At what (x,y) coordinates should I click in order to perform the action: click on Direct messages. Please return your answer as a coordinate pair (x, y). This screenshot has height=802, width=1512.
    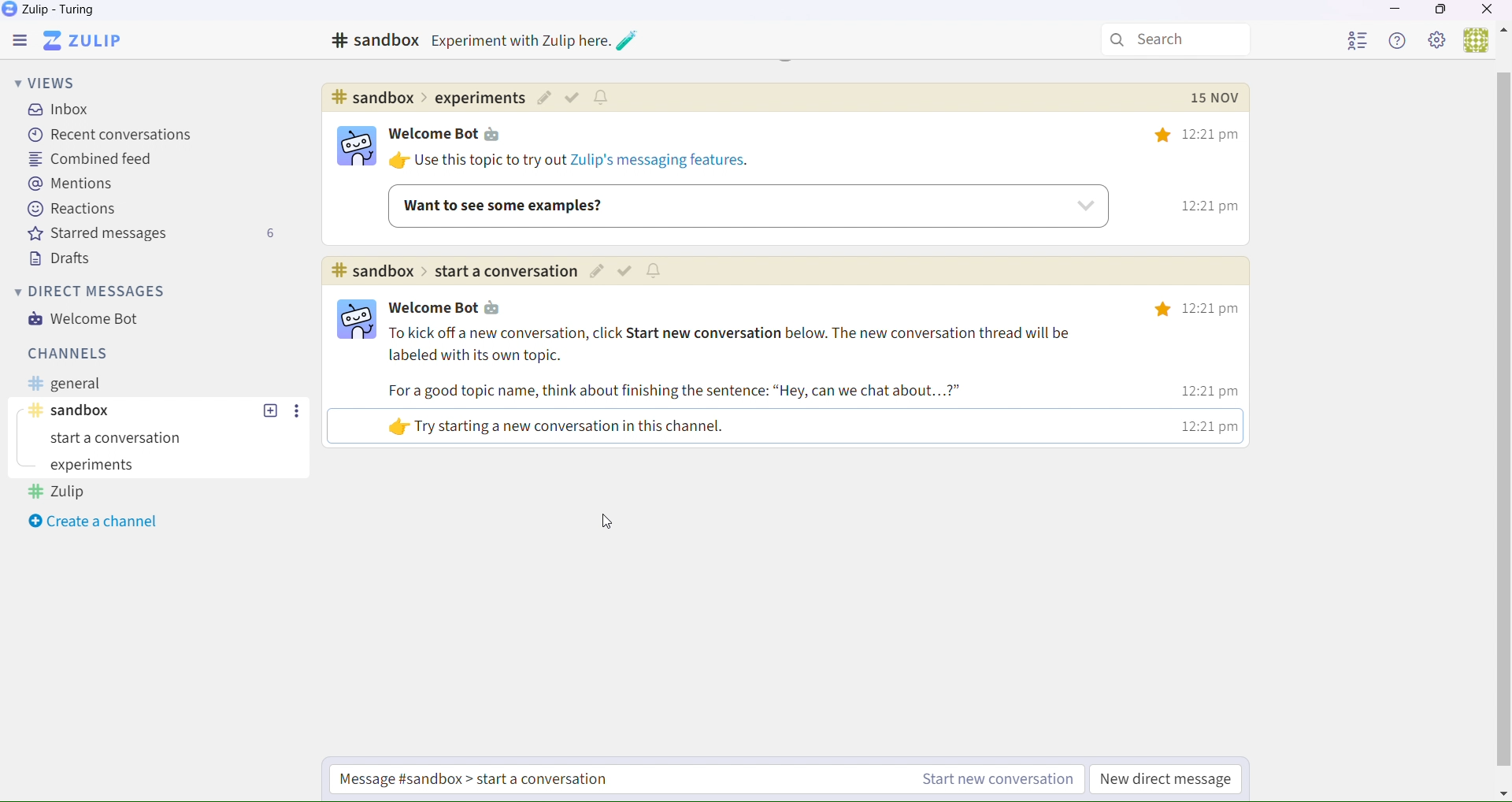
    Looking at the image, I should click on (93, 292).